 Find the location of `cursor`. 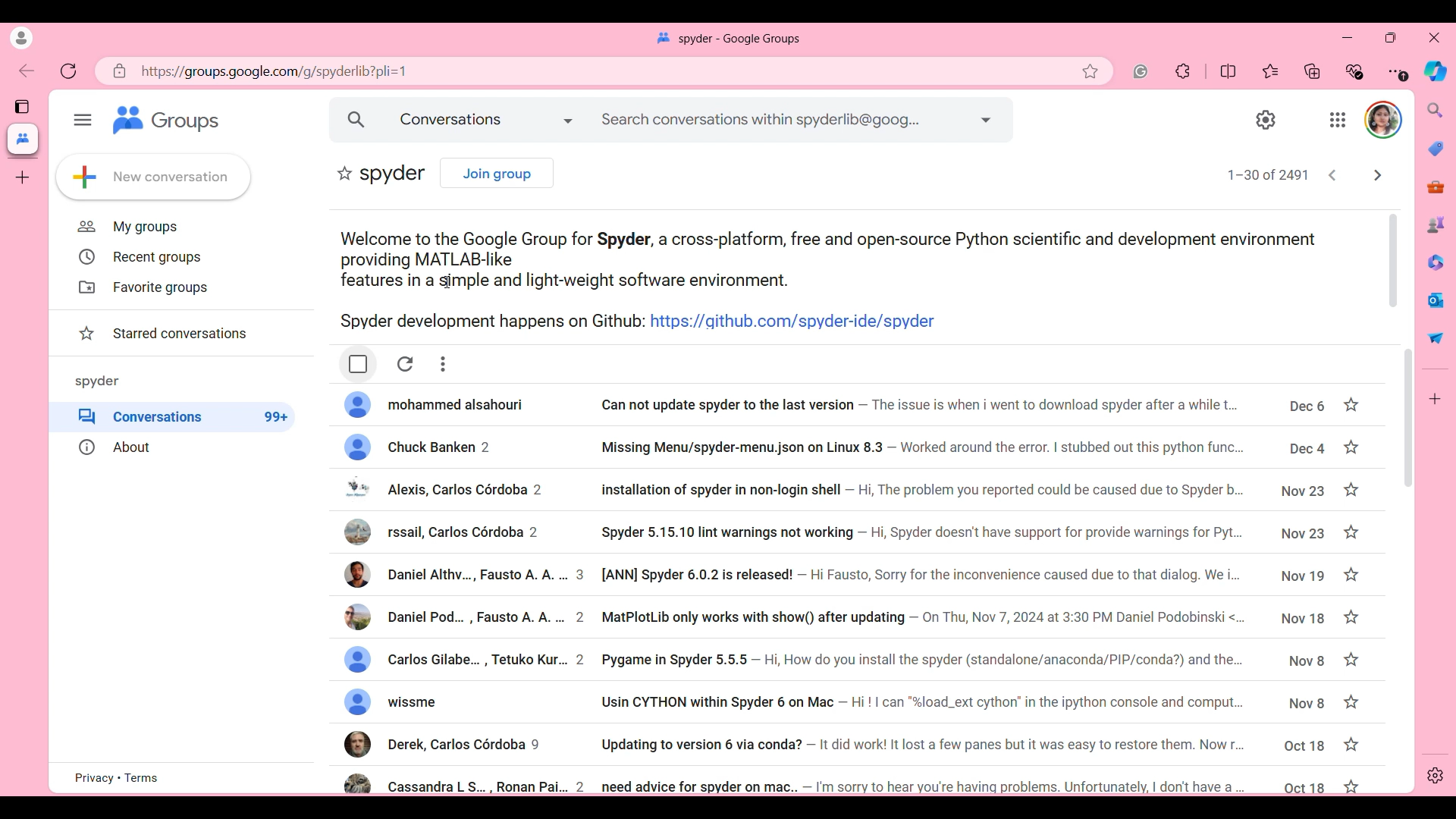

cursor is located at coordinates (444, 283).